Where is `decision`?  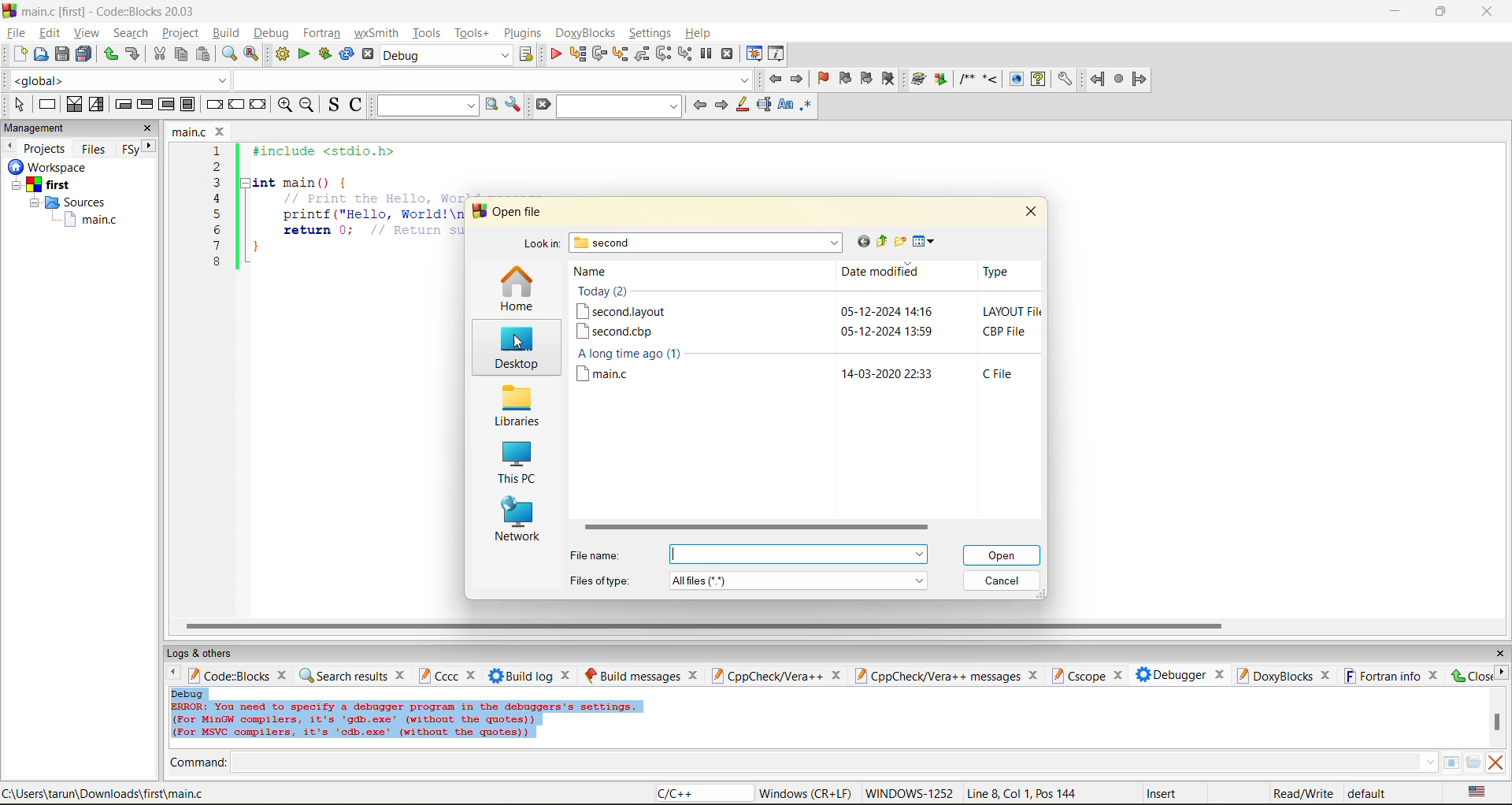 decision is located at coordinates (73, 104).